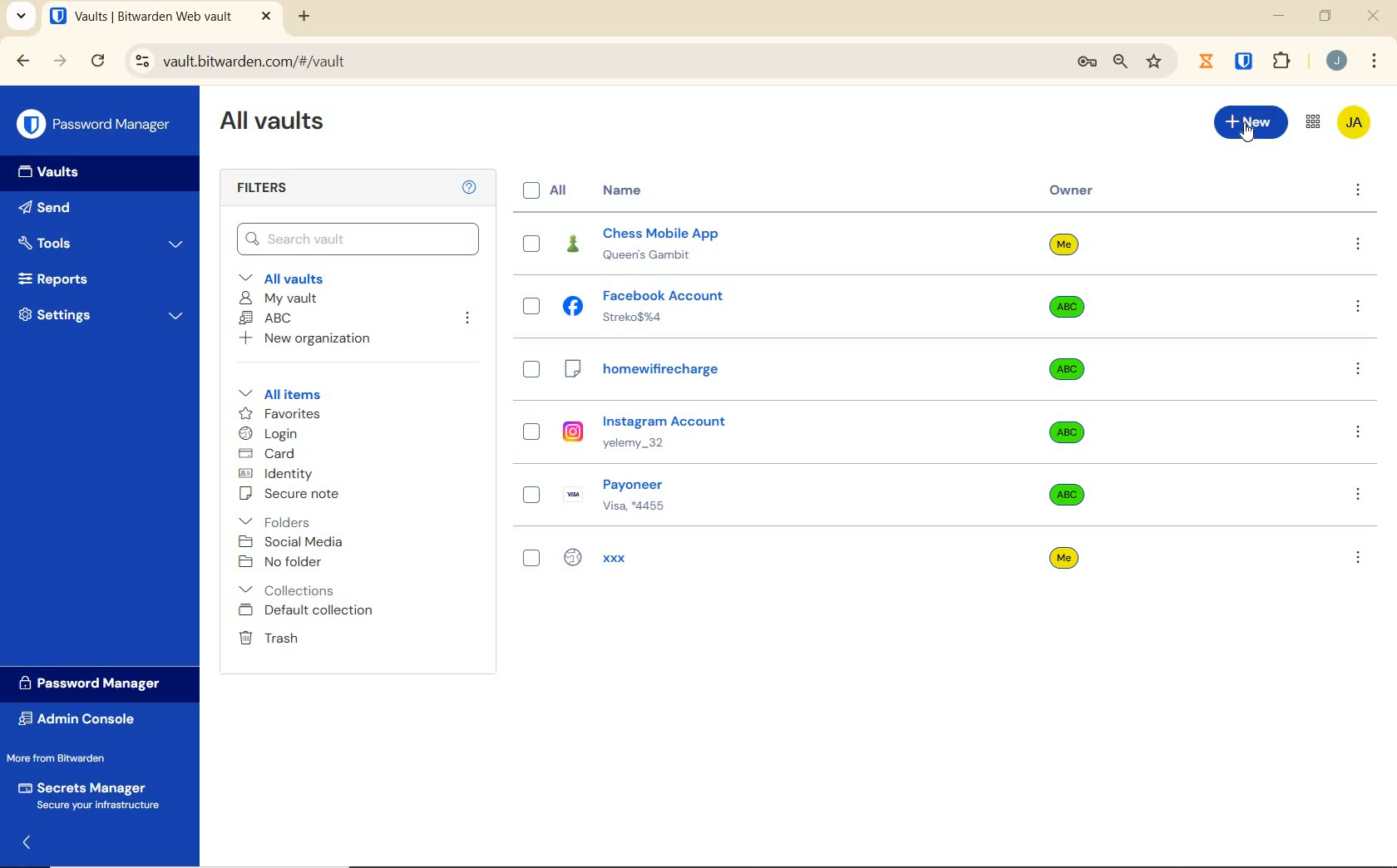  Describe the element at coordinates (469, 321) in the screenshot. I see `leave` at that location.